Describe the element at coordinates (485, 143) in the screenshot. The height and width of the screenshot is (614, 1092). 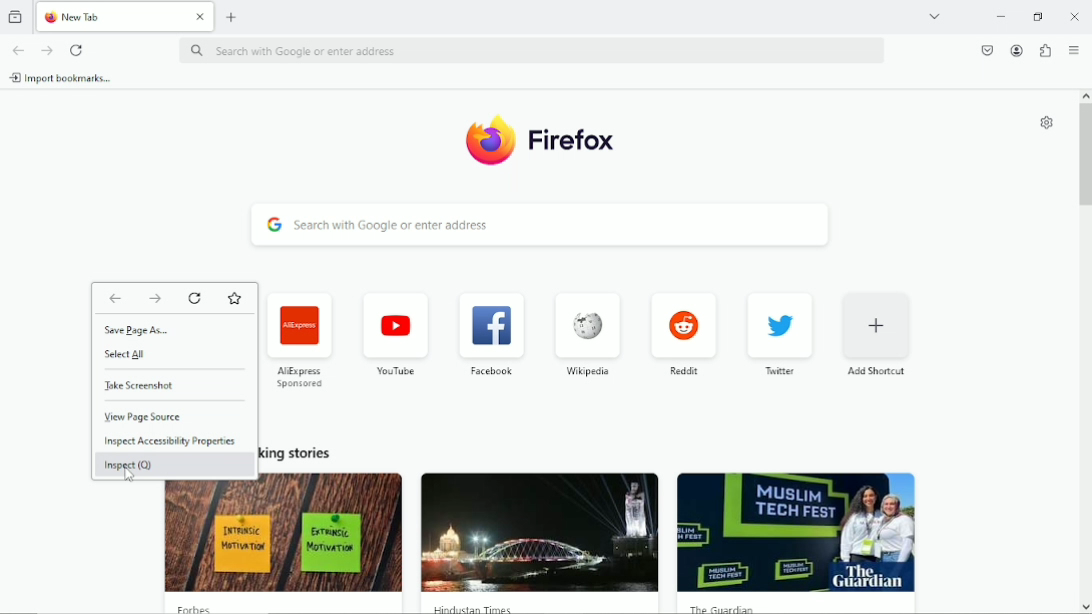
I see `Firefox logo` at that location.